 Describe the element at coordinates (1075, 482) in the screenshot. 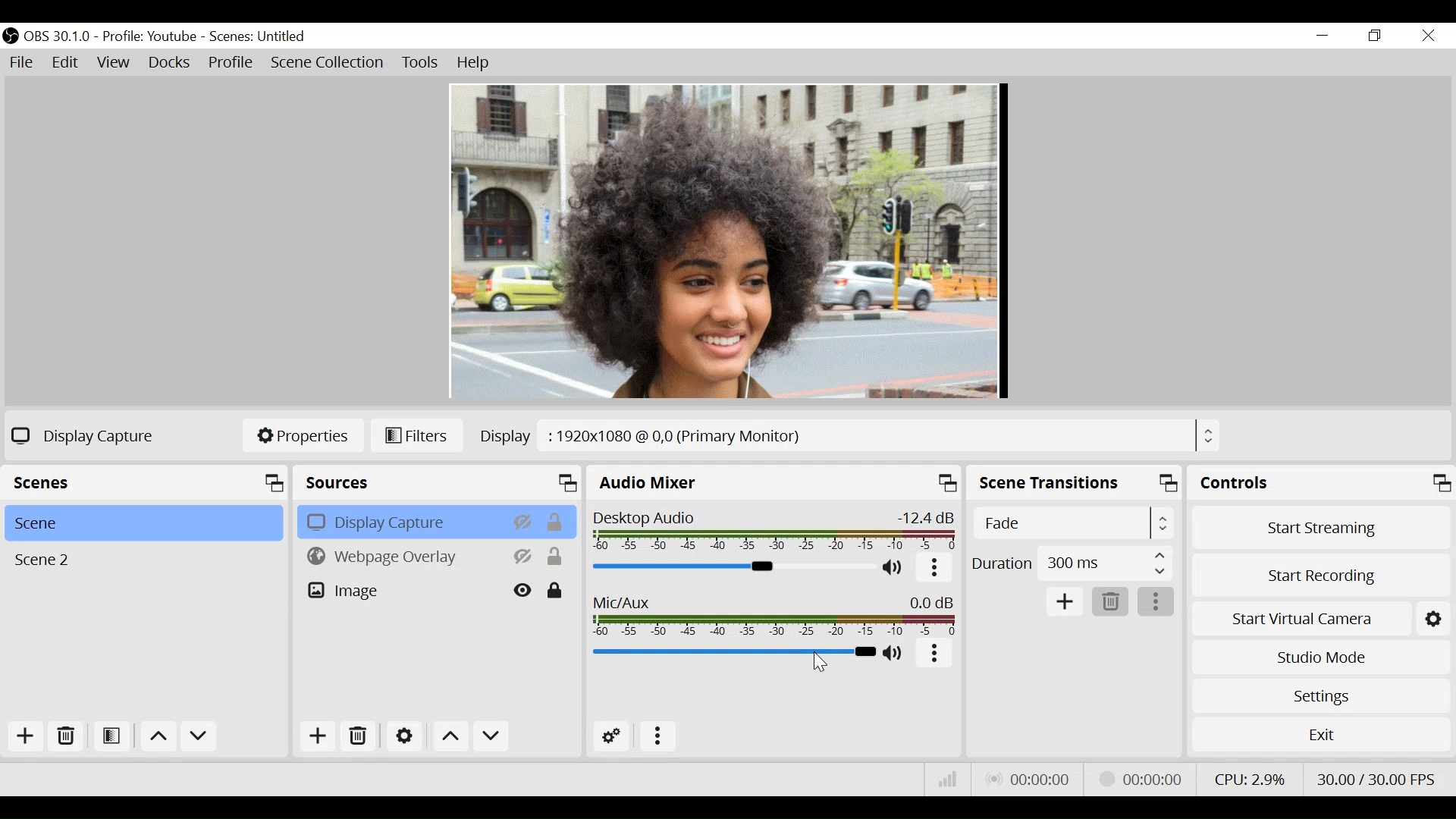

I see `Scene Transition Panel` at that location.